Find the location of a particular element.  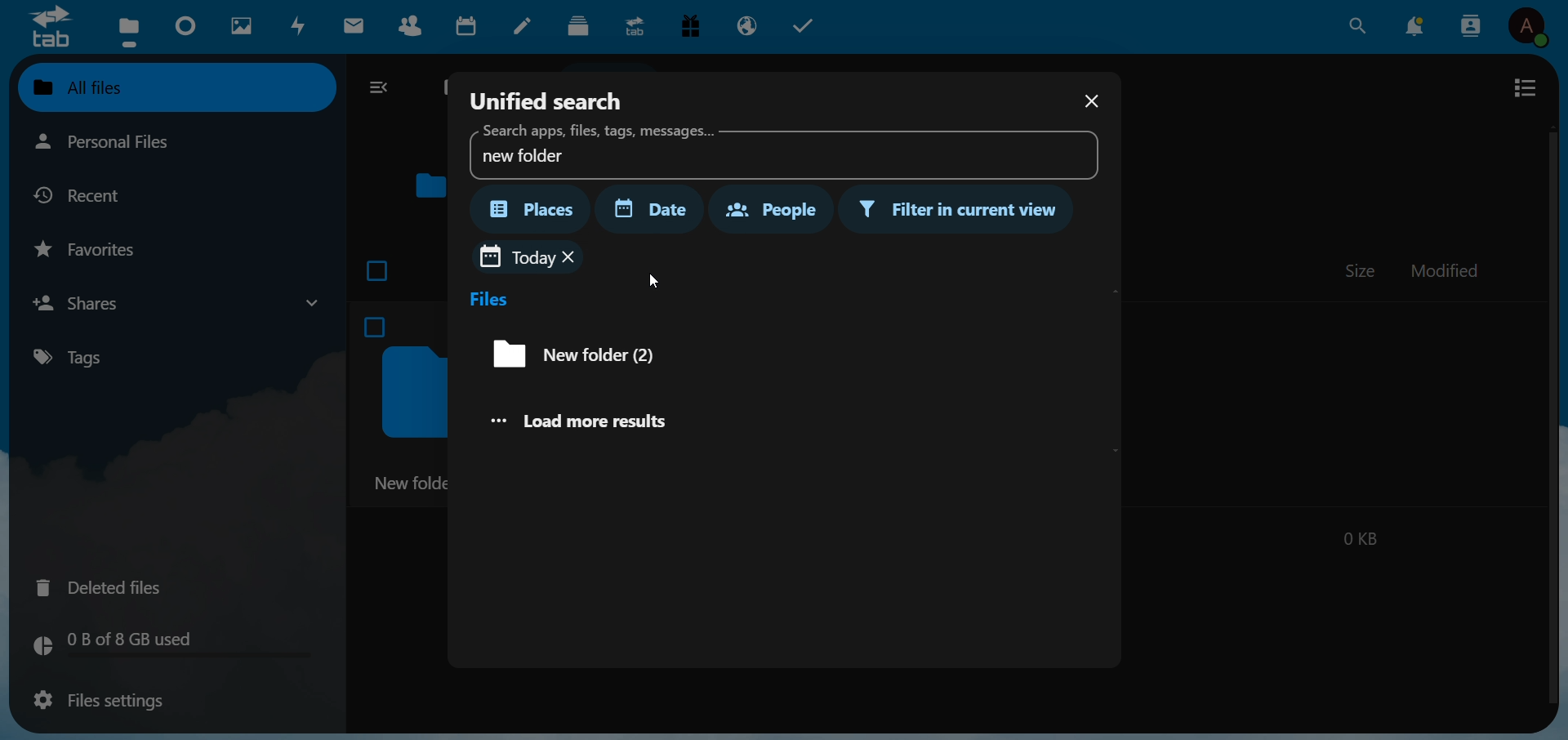

favorites is located at coordinates (94, 248).